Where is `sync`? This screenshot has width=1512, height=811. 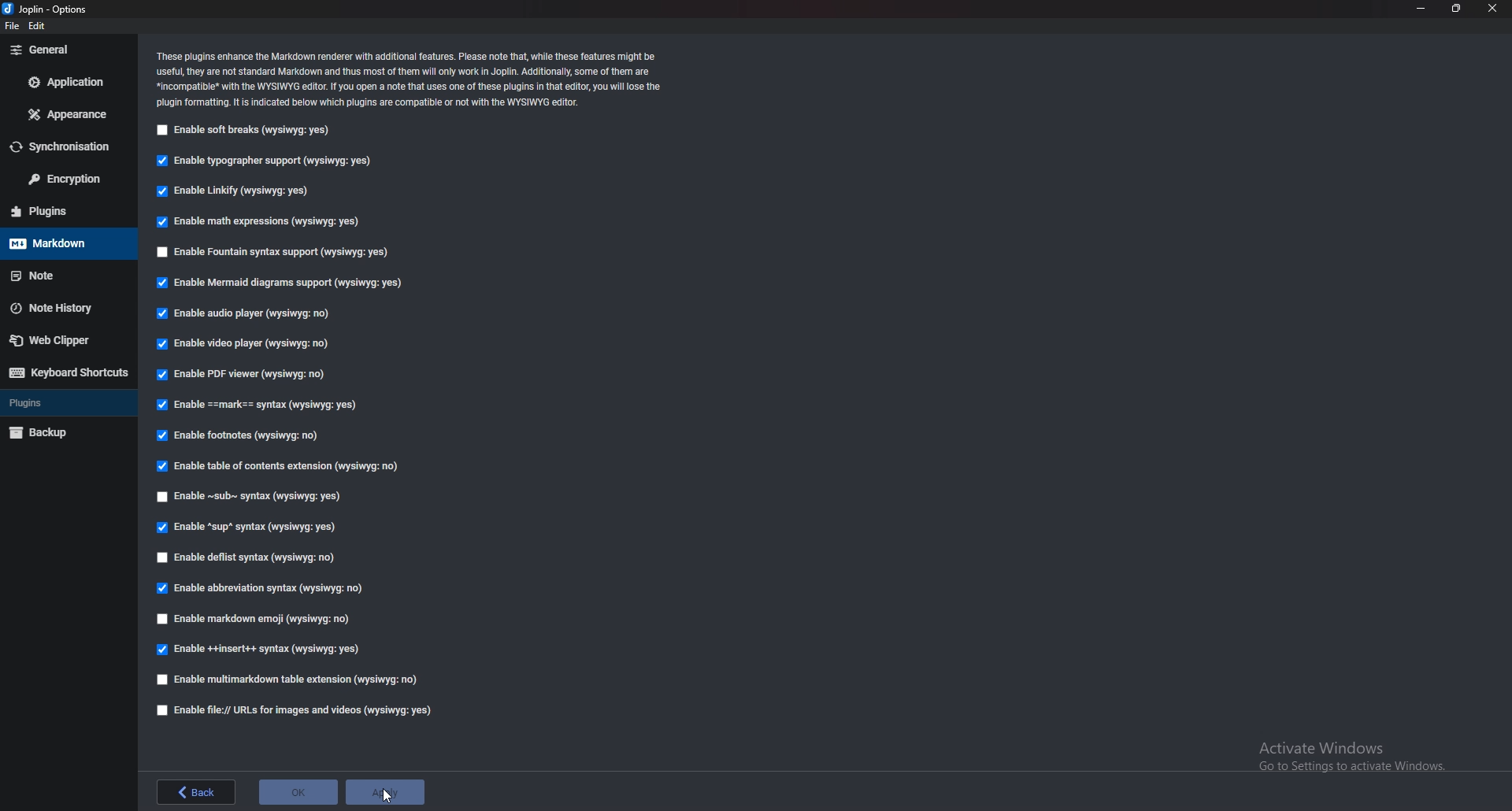
sync is located at coordinates (63, 146).